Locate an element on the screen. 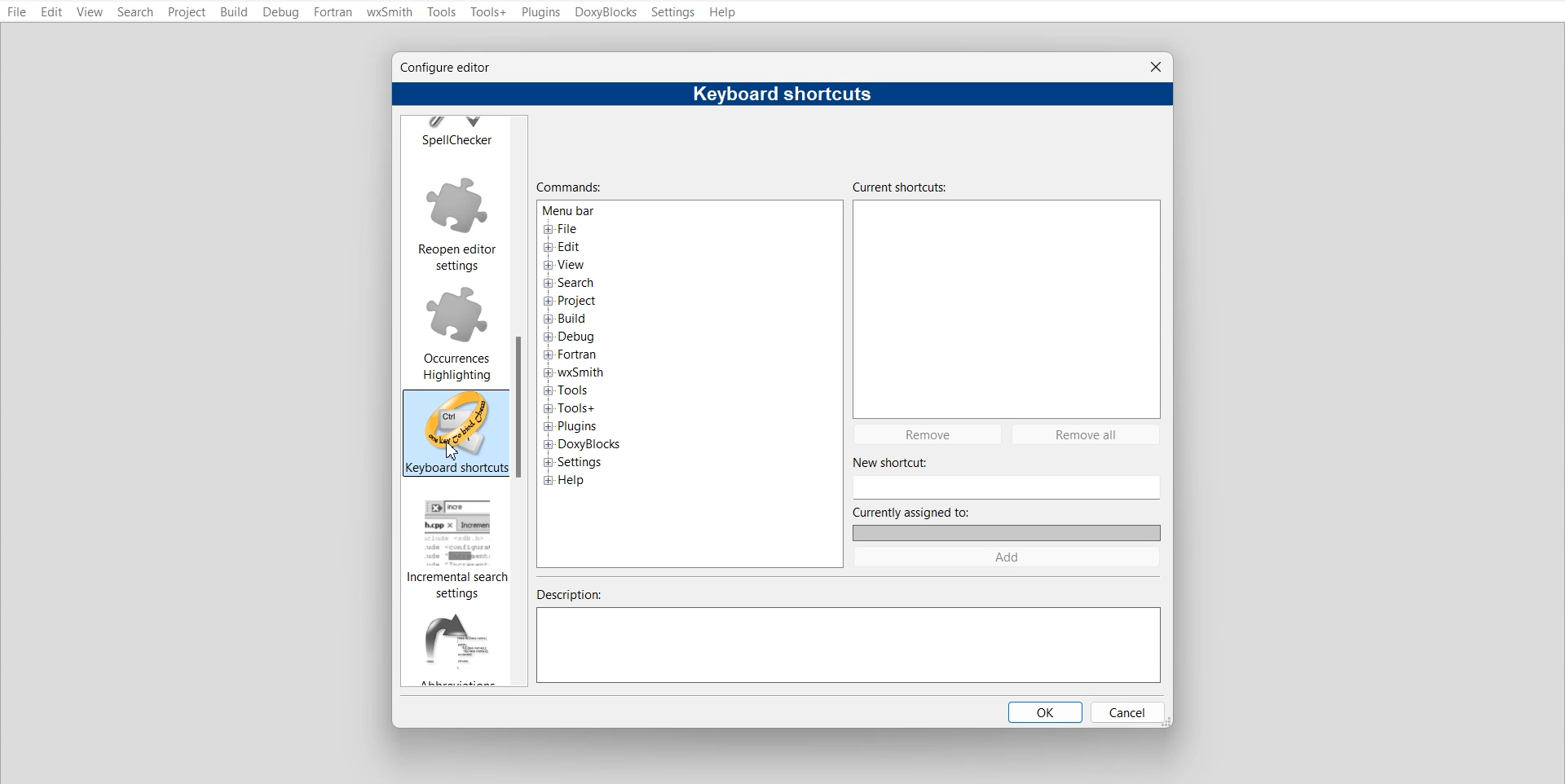 The width and height of the screenshot is (1565, 784). Plugins is located at coordinates (541, 12).